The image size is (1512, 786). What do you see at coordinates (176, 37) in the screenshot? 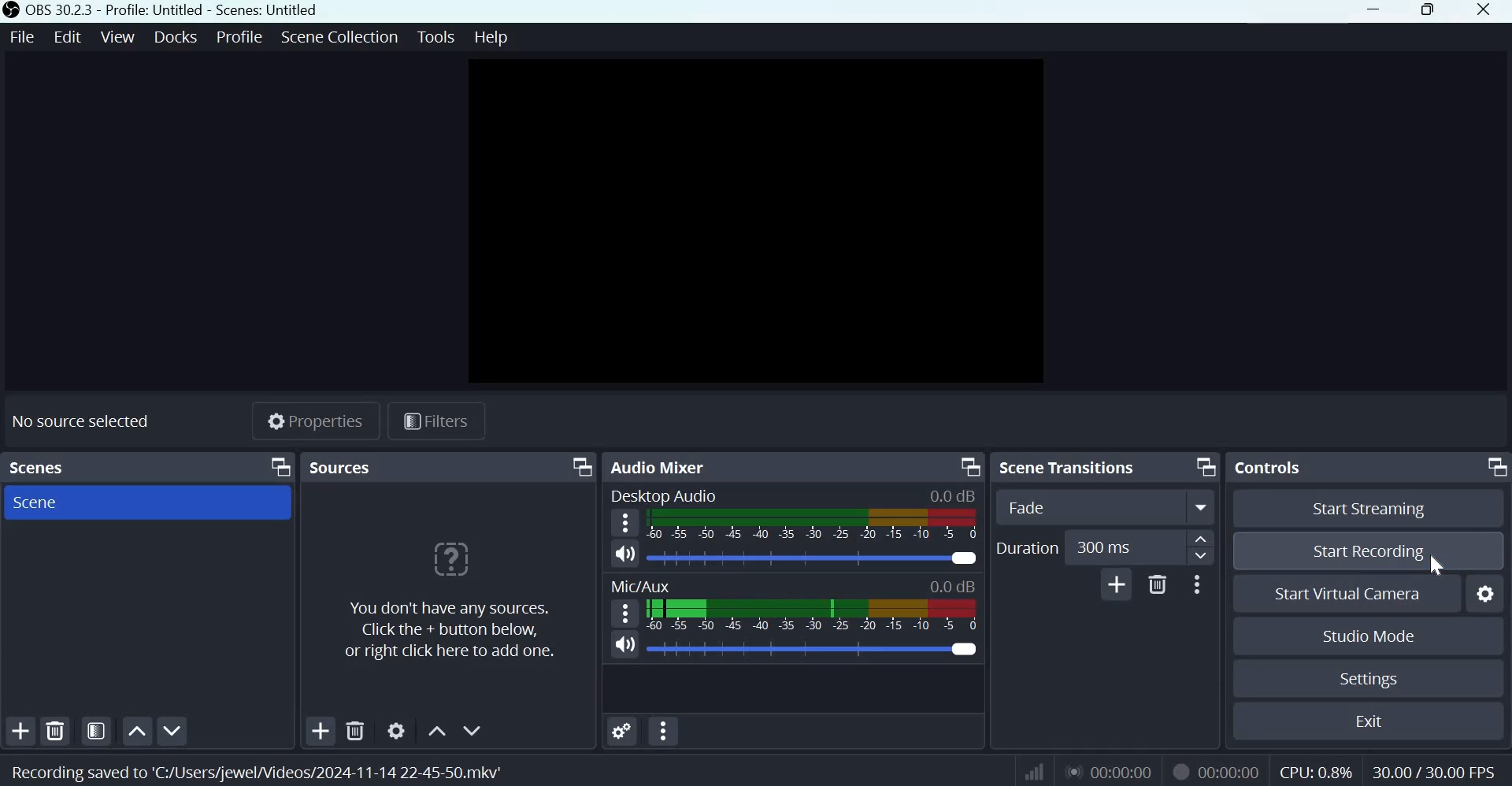
I see `Docks` at bounding box center [176, 37].